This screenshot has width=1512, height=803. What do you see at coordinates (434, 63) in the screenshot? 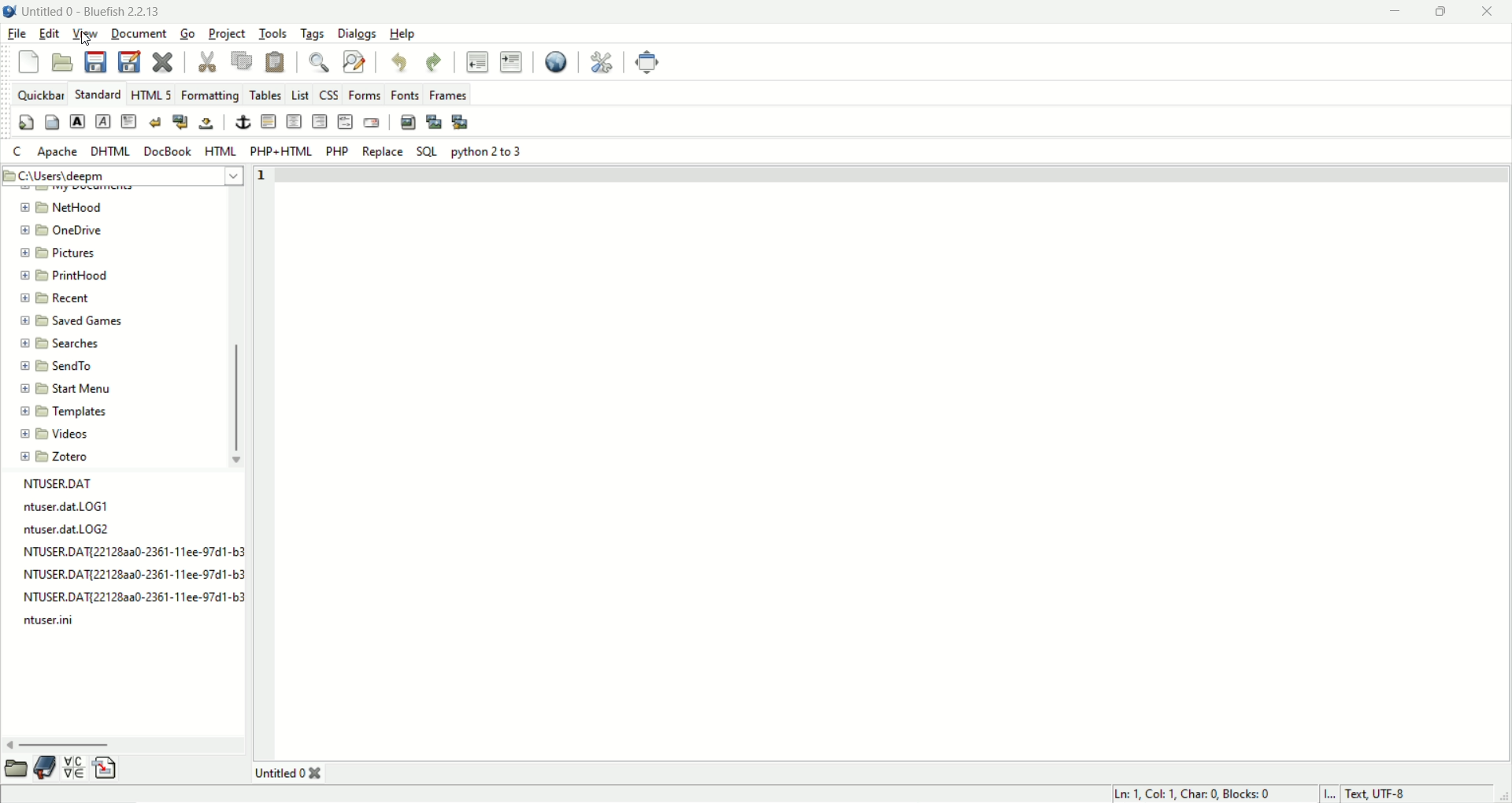
I see `redo` at bounding box center [434, 63].